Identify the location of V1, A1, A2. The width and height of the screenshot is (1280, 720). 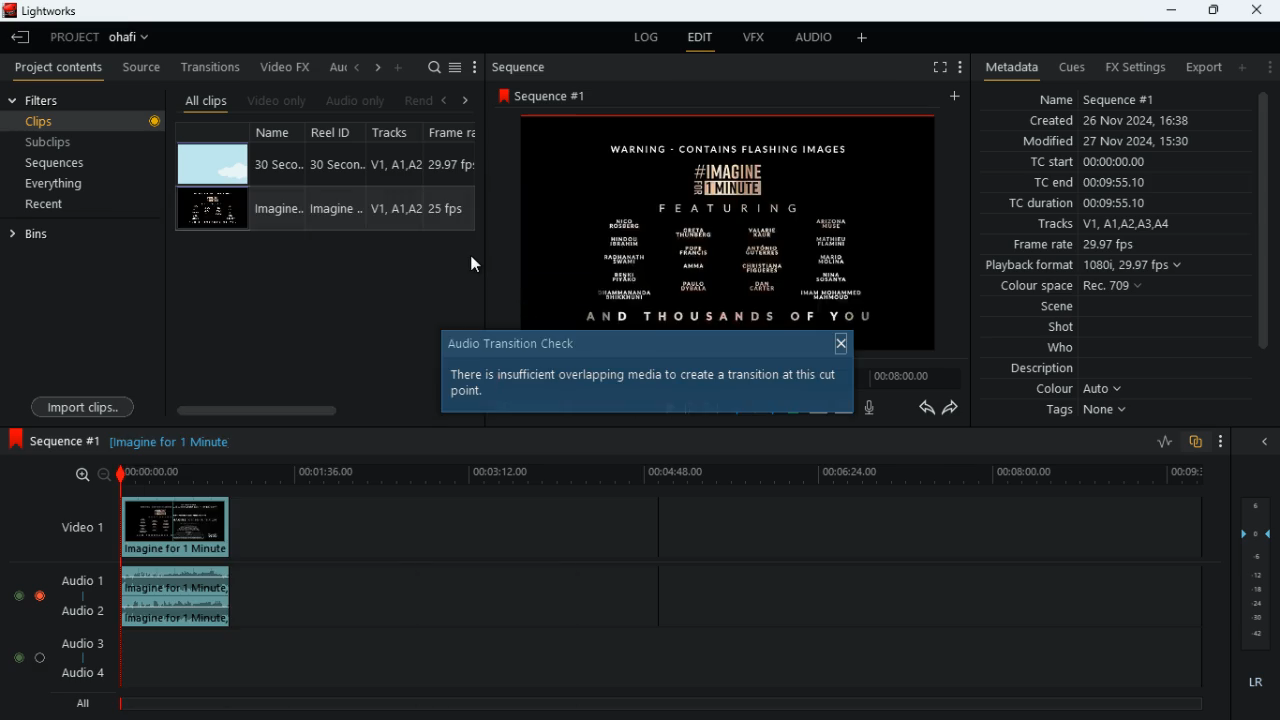
(394, 164).